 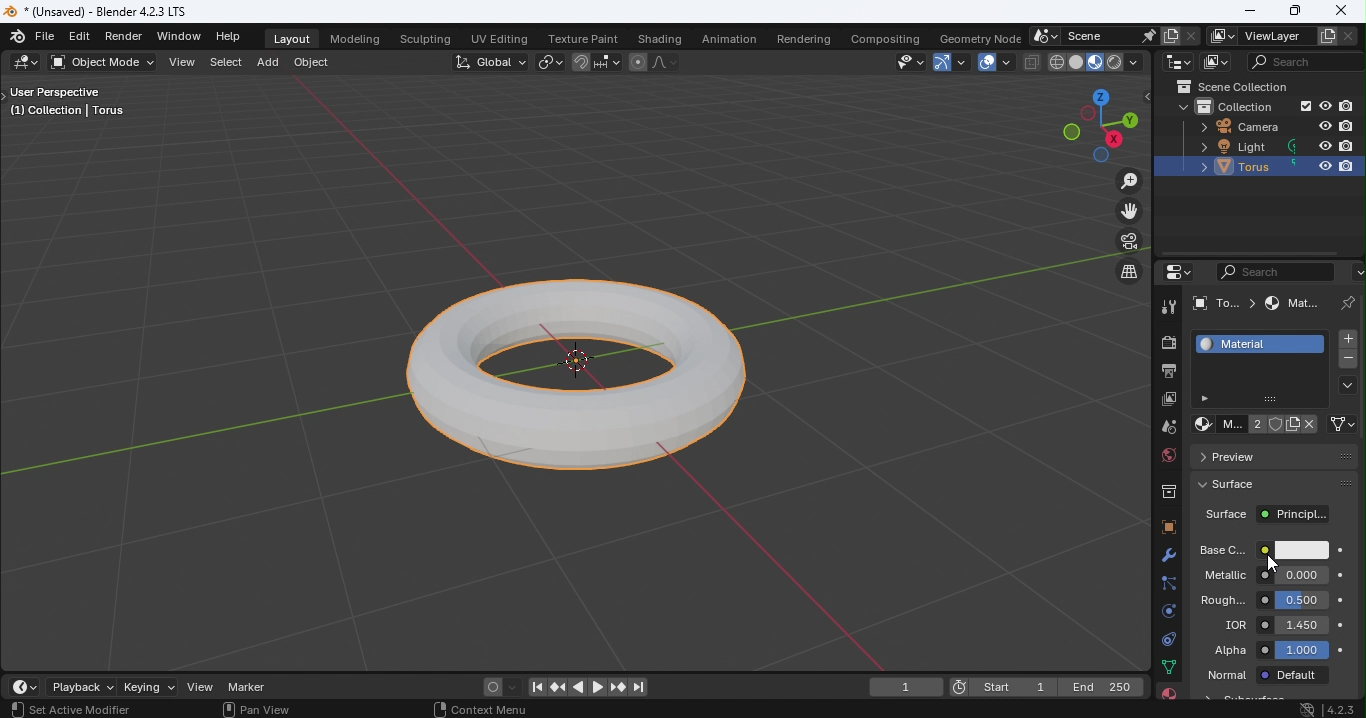 I want to click on Use a preset viewpoint, so click(x=1096, y=125).